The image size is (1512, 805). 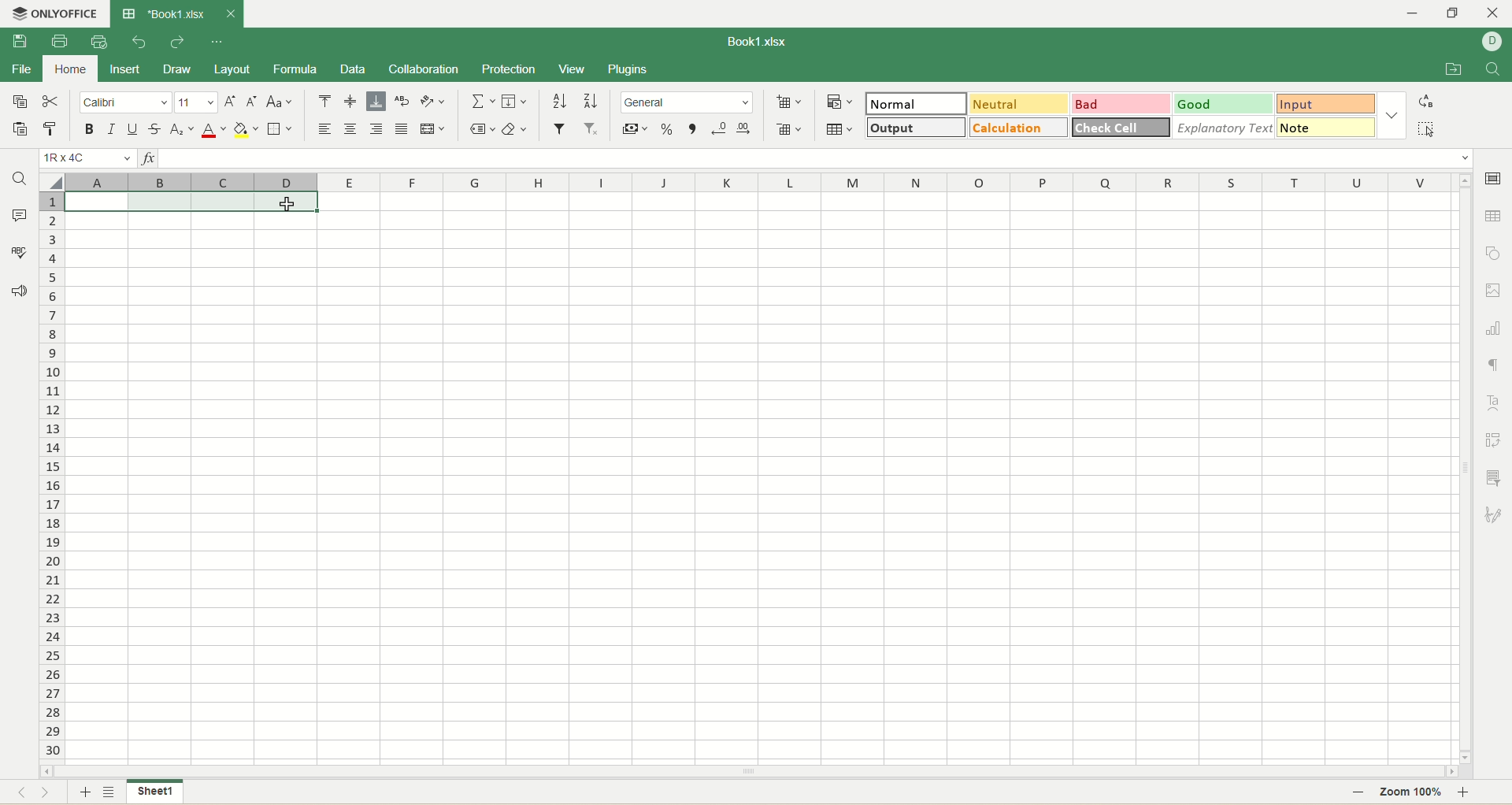 I want to click on calculation, so click(x=1015, y=128).